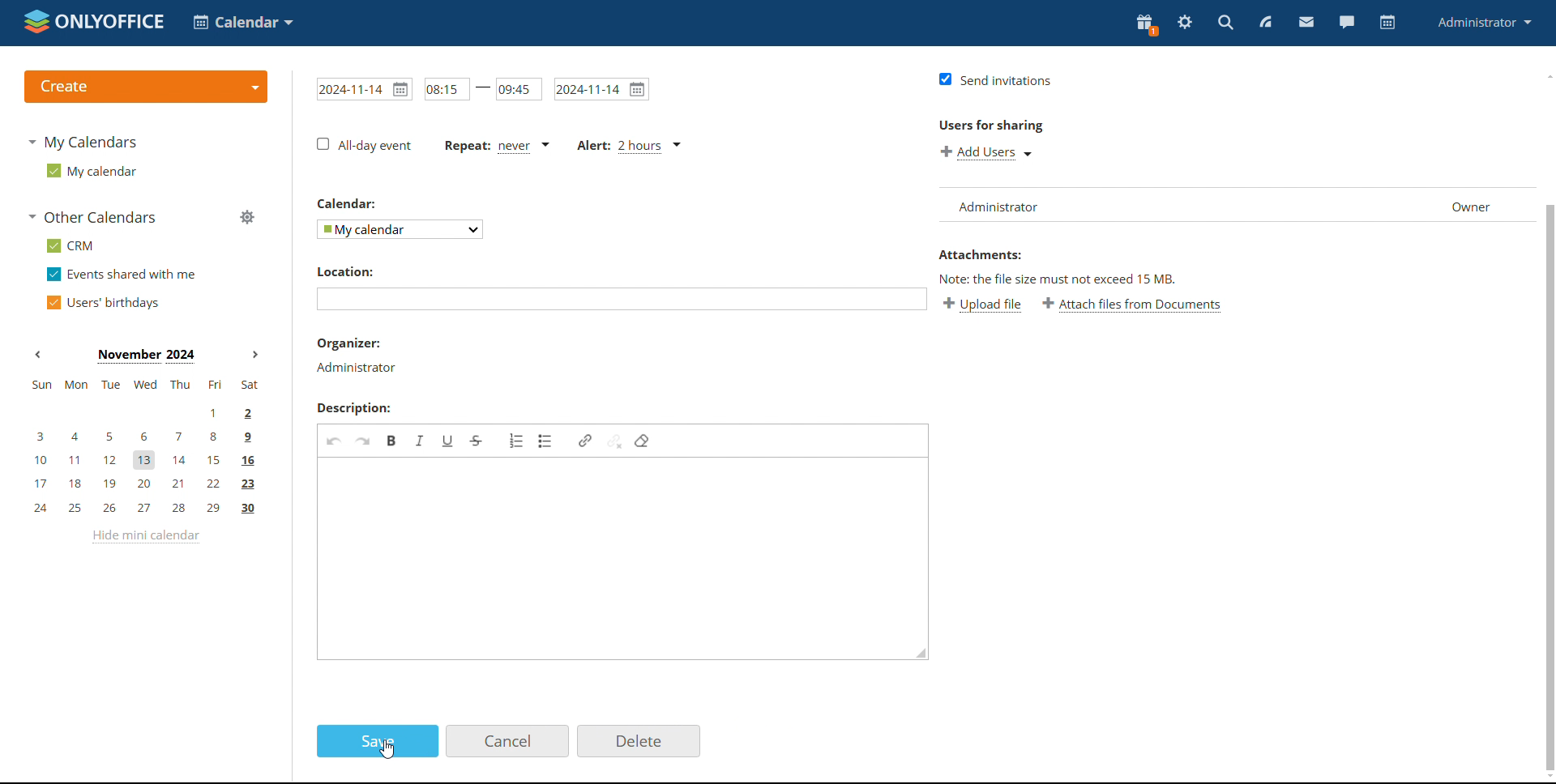 The height and width of the screenshot is (784, 1556). I want to click on send invitations, so click(994, 80).